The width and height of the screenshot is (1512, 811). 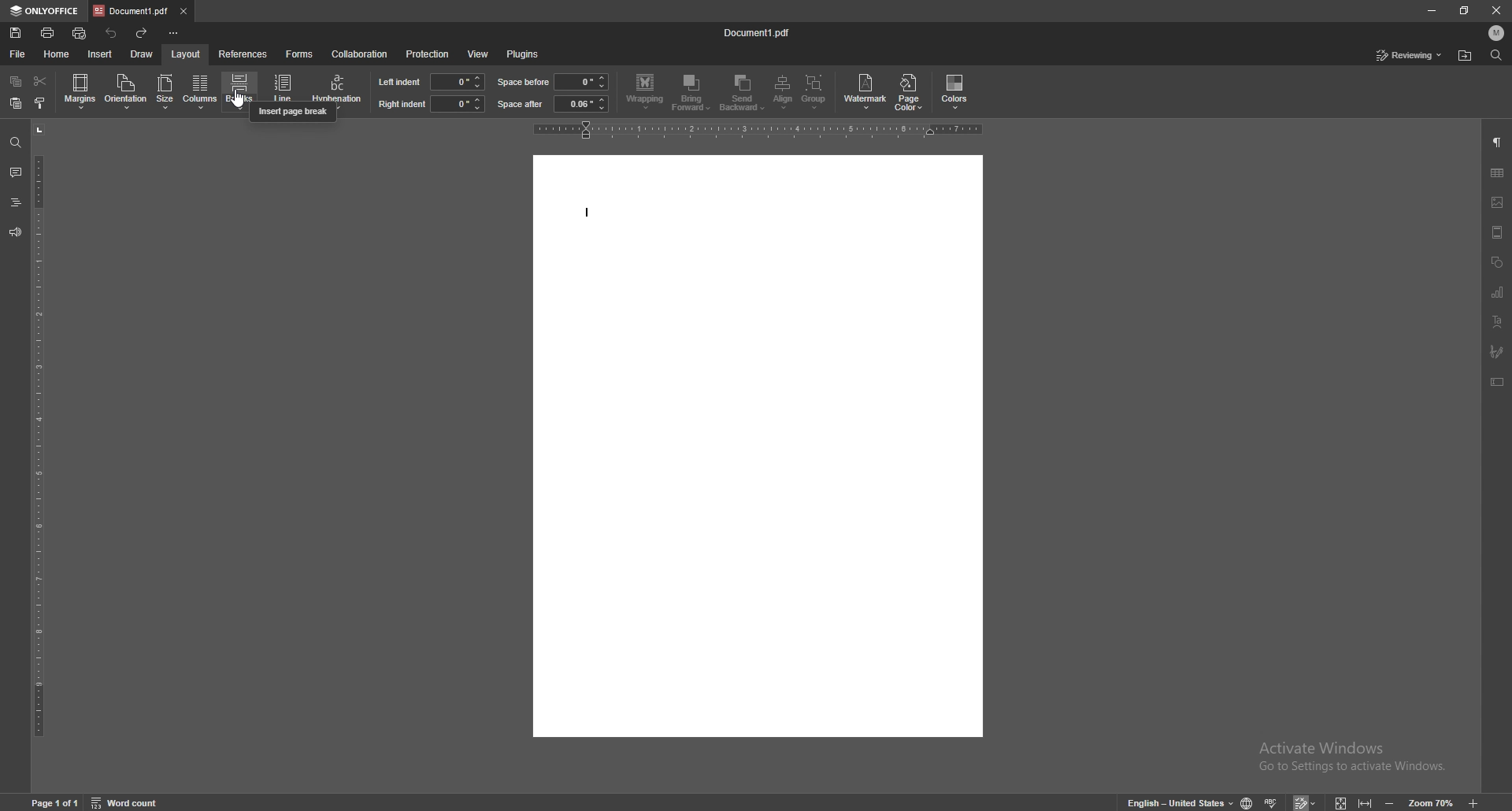 I want to click on profile, so click(x=1497, y=32).